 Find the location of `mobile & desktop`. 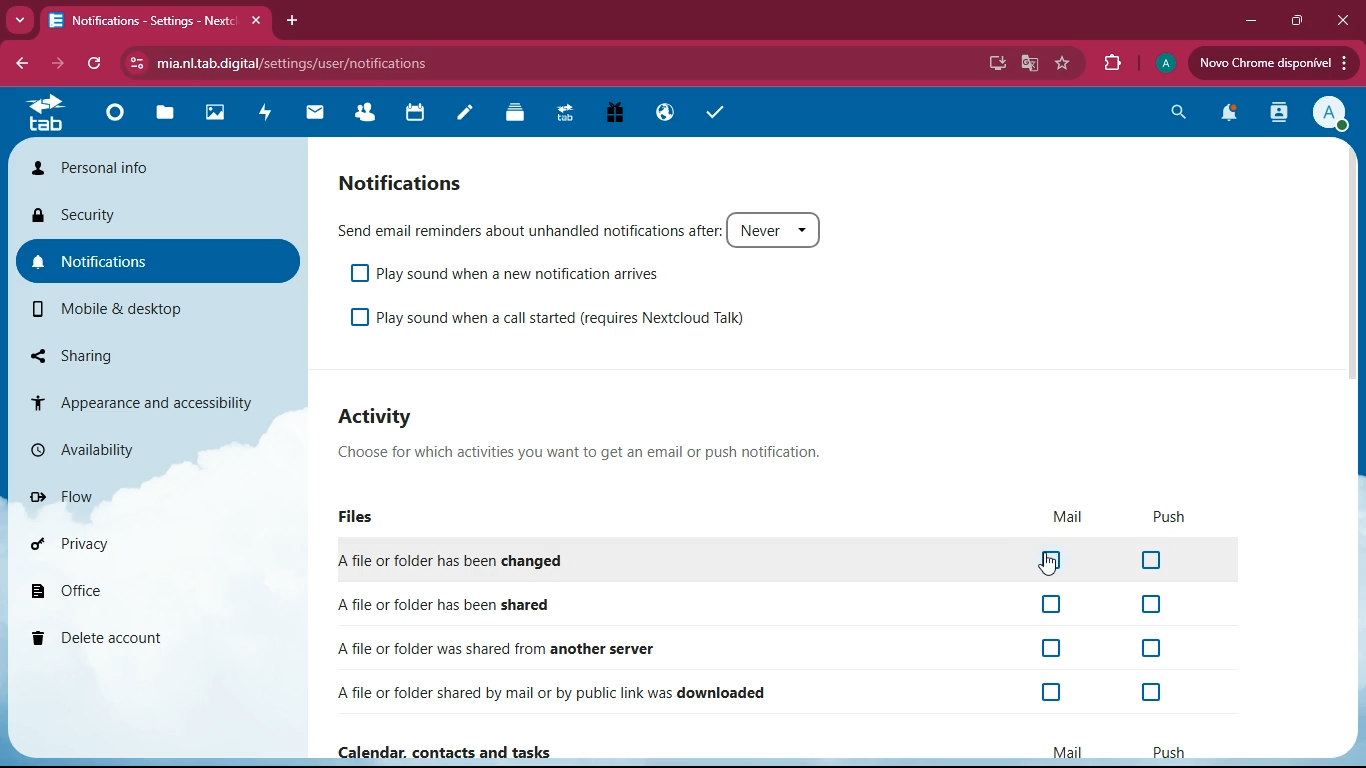

mobile & desktop is located at coordinates (118, 309).